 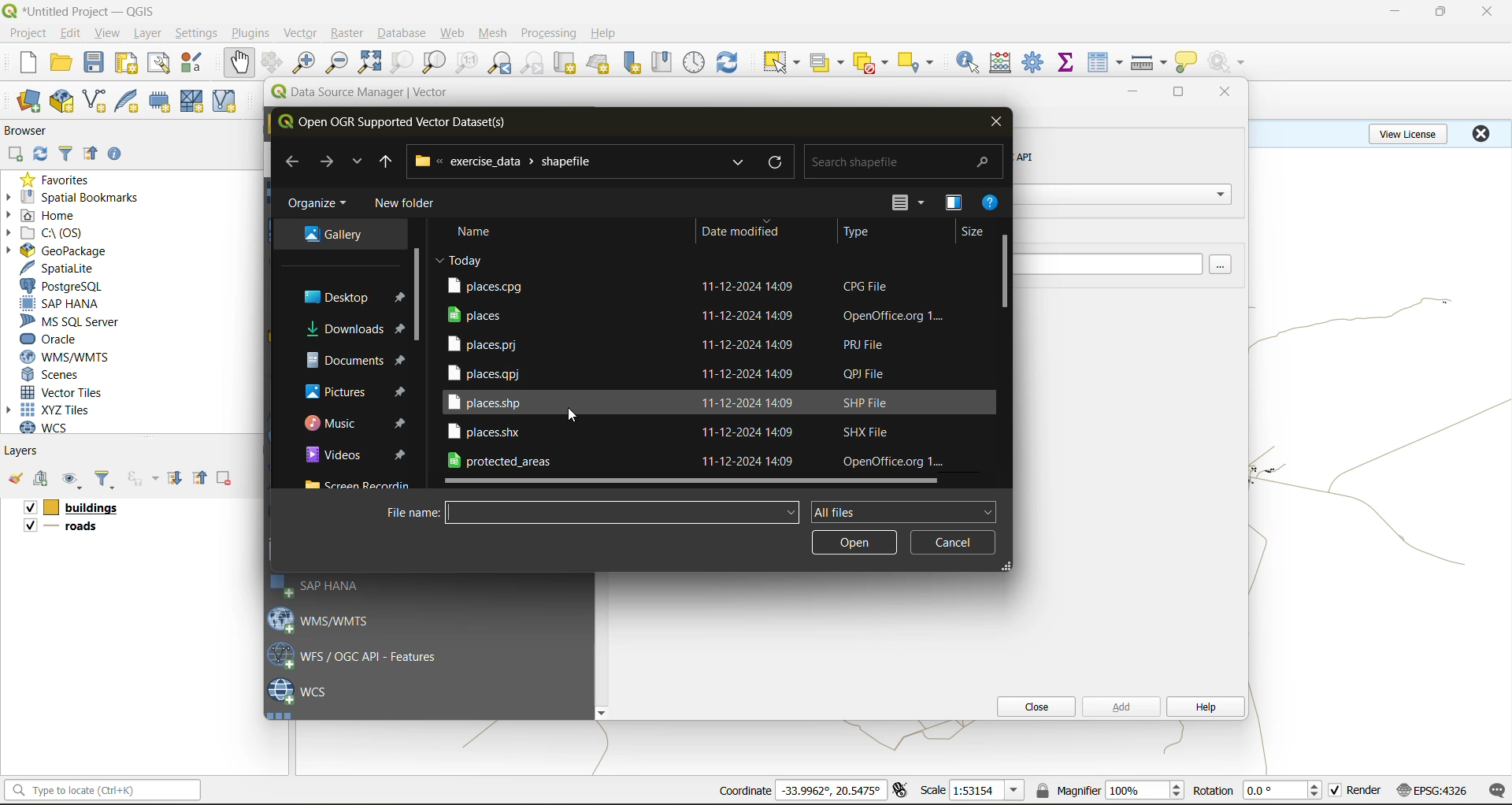 What do you see at coordinates (14, 155) in the screenshot?
I see `add` at bounding box center [14, 155].